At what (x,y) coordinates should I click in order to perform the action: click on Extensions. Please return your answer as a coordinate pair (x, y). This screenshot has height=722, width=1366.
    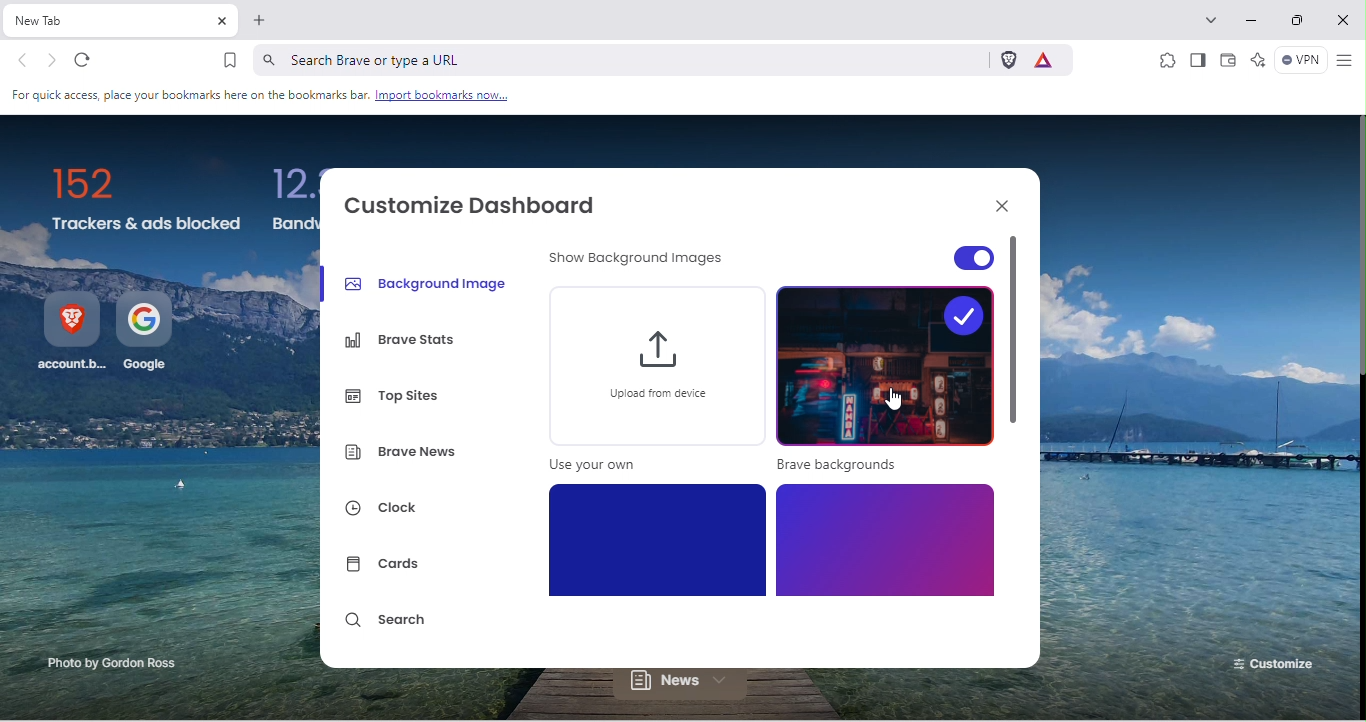
    Looking at the image, I should click on (1166, 59).